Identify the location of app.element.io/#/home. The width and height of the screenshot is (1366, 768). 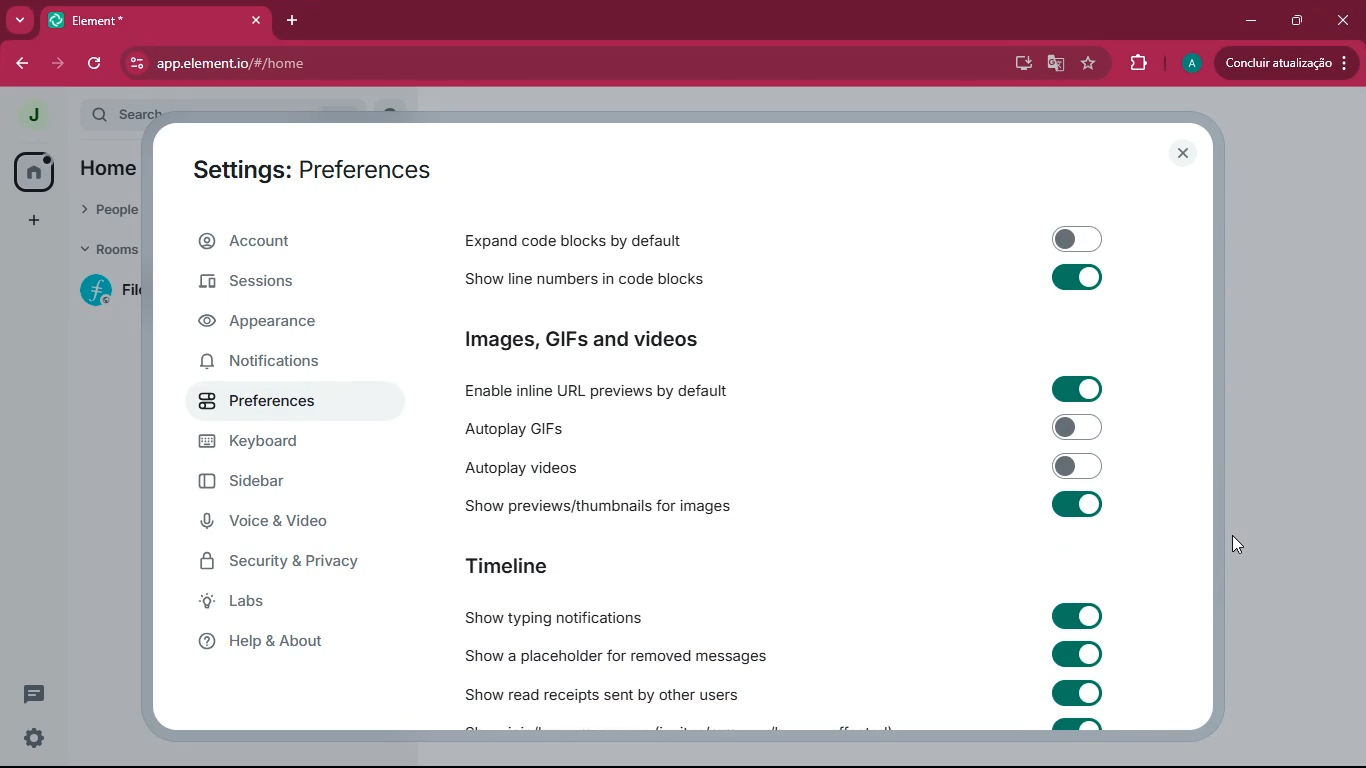
(349, 64).